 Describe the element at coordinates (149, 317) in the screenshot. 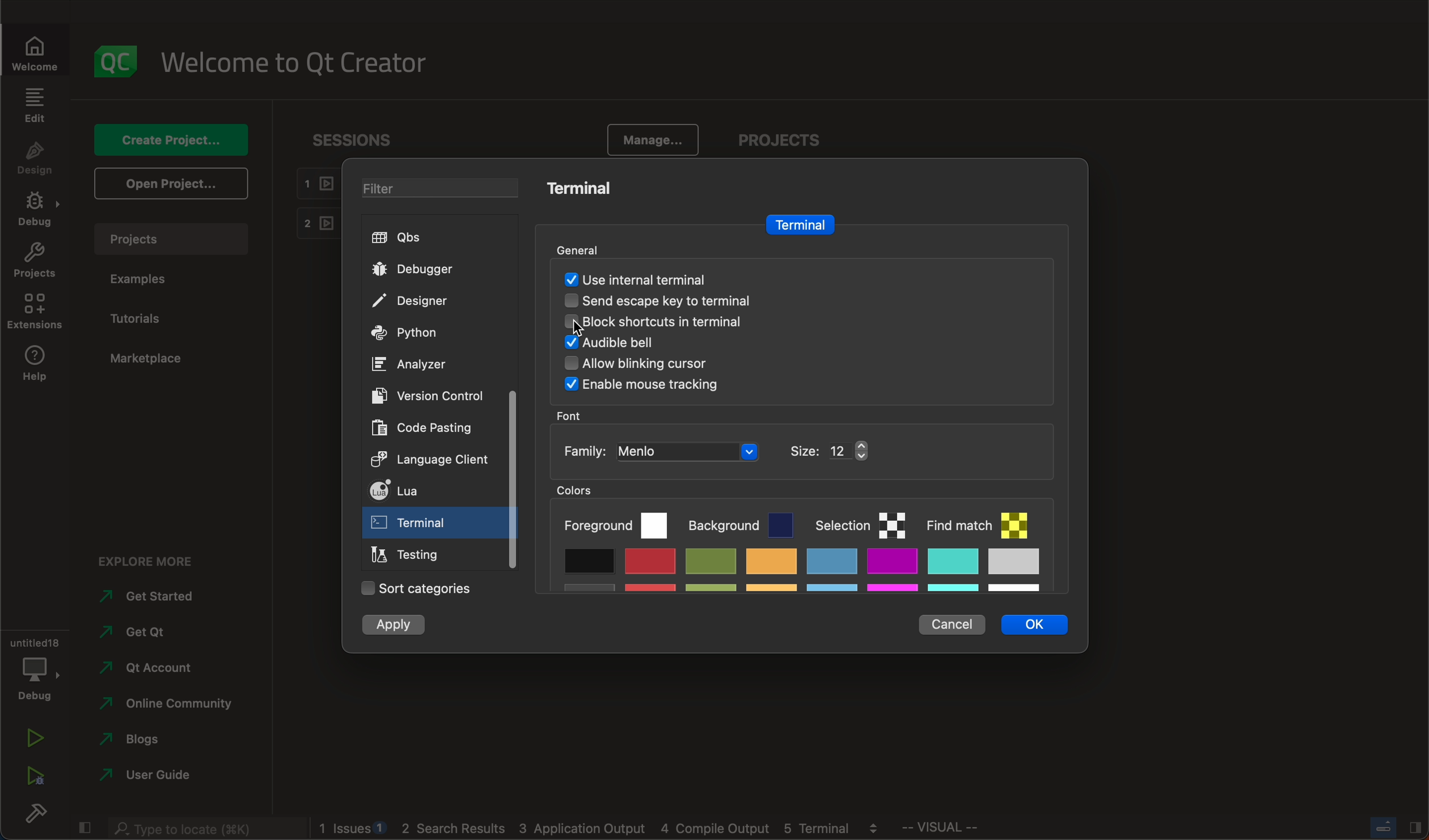

I see `tutorials` at that location.